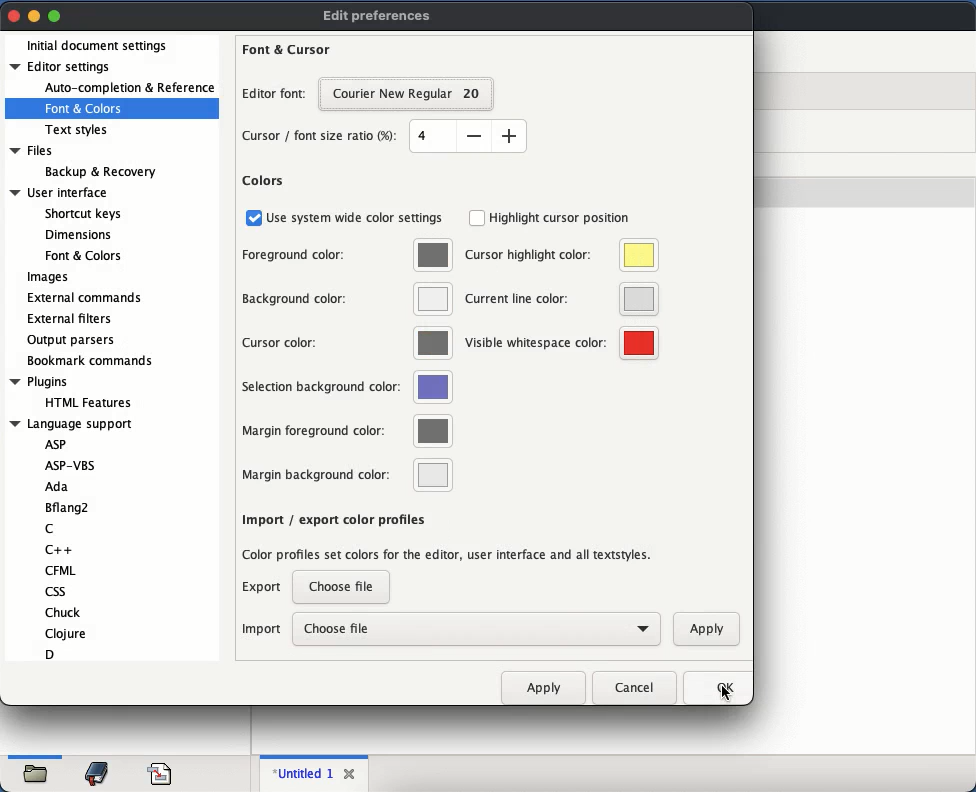 This screenshot has height=792, width=976. I want to click on colors, so click(267, 181).